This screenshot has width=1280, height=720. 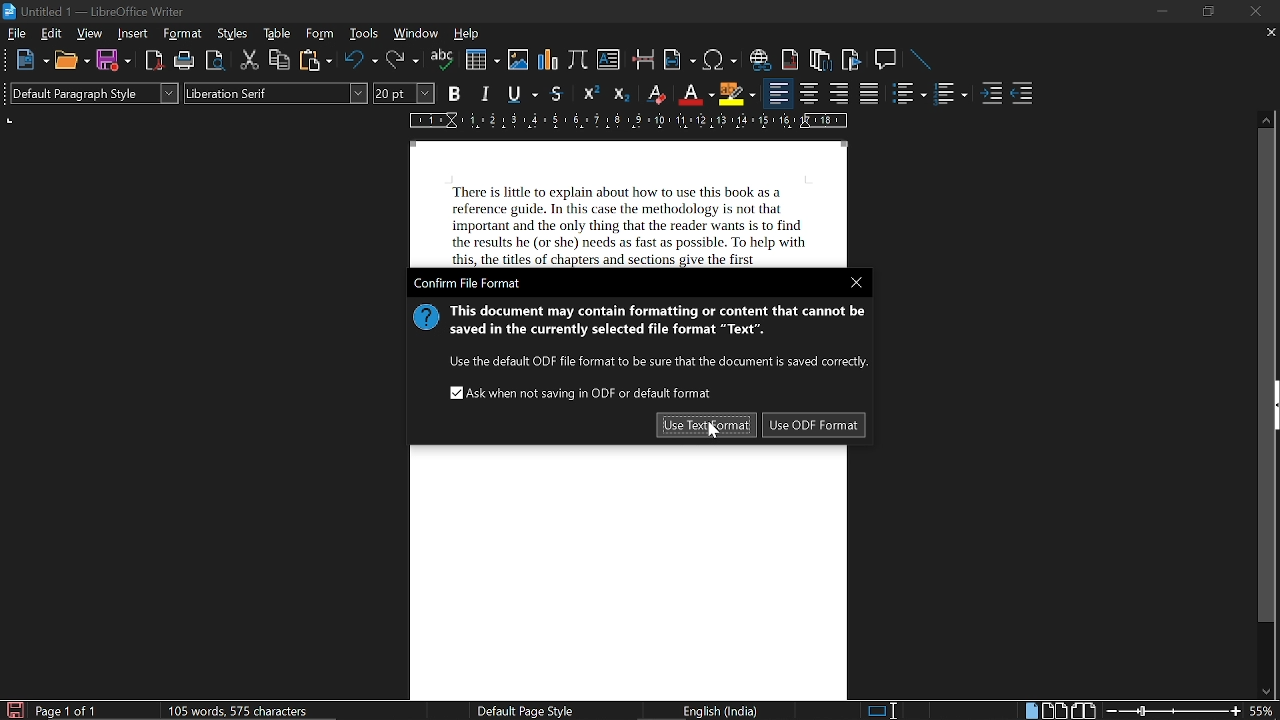 I want to click on selection method, so click(x=881, y=711).